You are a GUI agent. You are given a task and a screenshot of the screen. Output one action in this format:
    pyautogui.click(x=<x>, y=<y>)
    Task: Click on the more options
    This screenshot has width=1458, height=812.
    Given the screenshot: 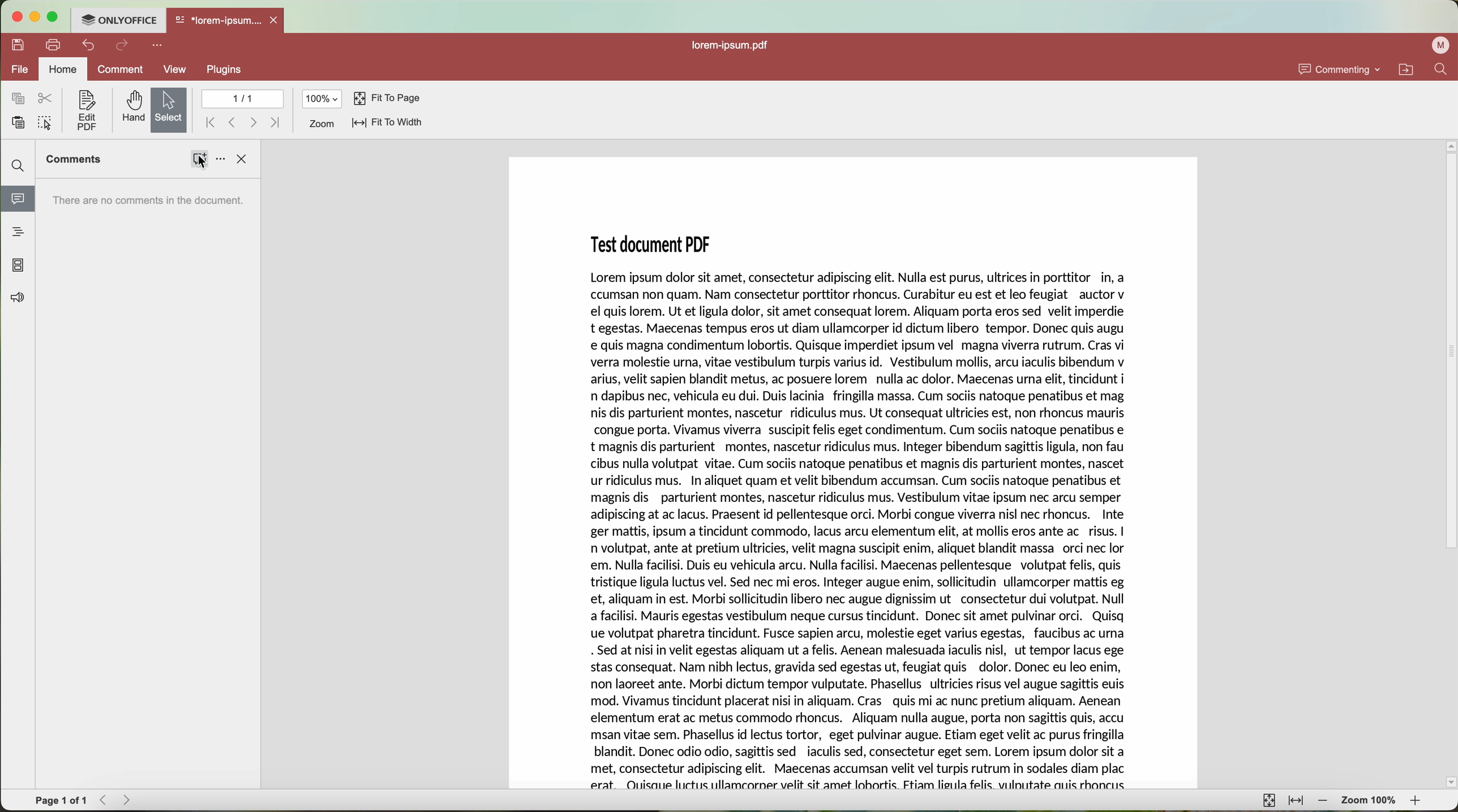 What is the action you would take?
    pyautogui.click(x=158, y=46)
    